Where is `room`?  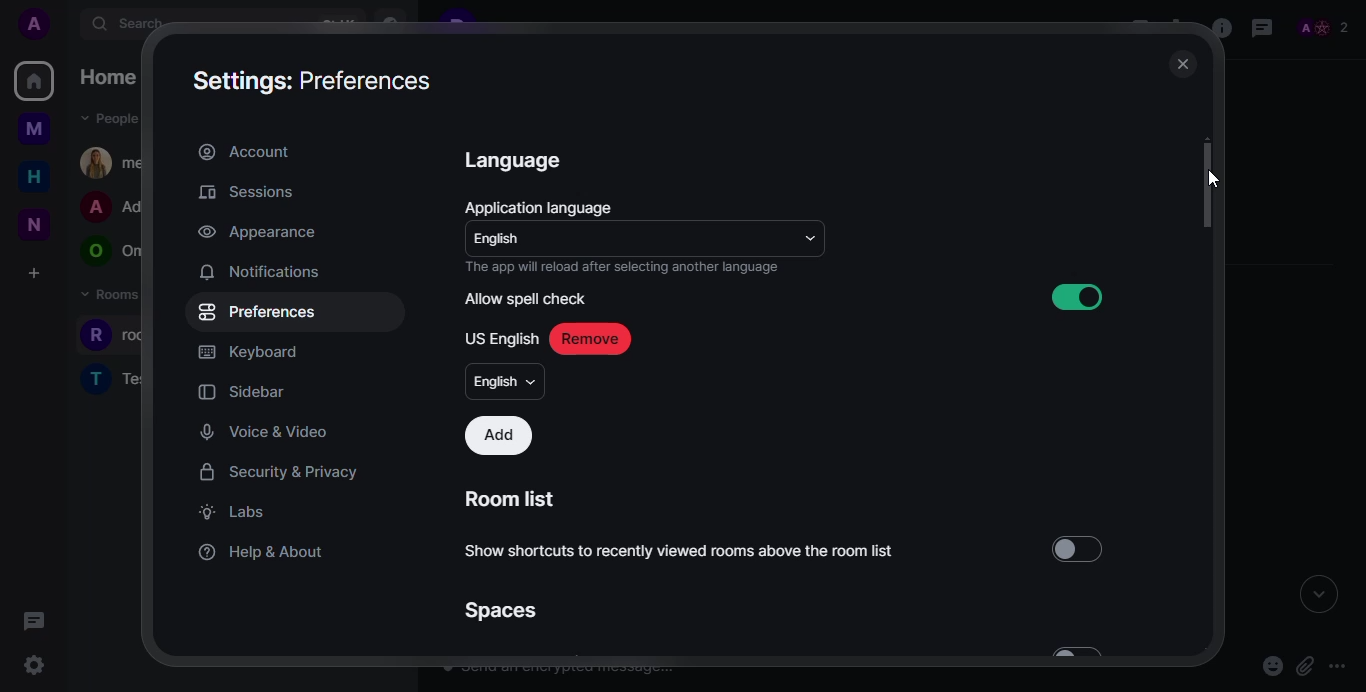
room is located at coordinates (115, 377).